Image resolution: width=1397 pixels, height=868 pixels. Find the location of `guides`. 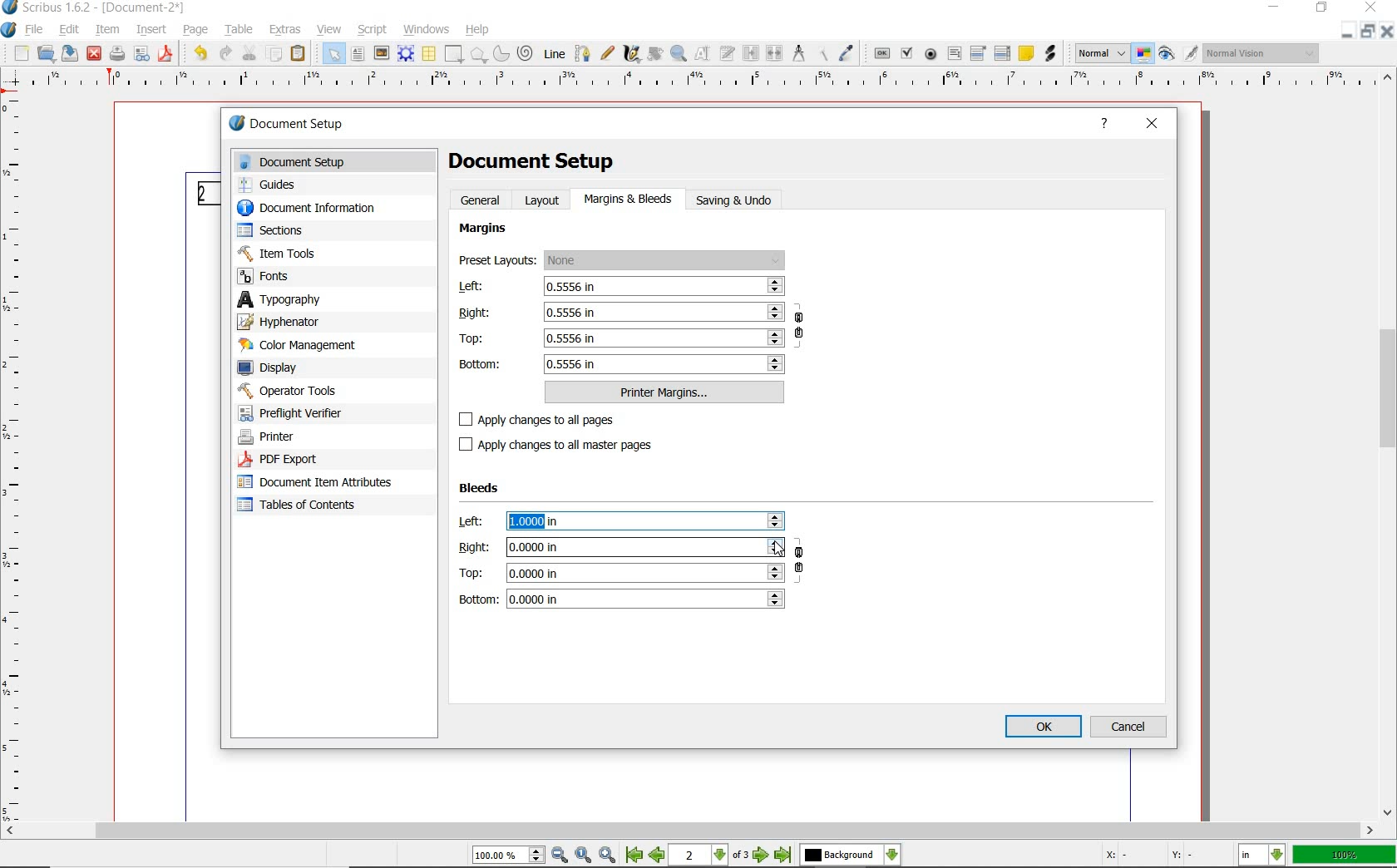

guides is located at coordinates (274, 186).